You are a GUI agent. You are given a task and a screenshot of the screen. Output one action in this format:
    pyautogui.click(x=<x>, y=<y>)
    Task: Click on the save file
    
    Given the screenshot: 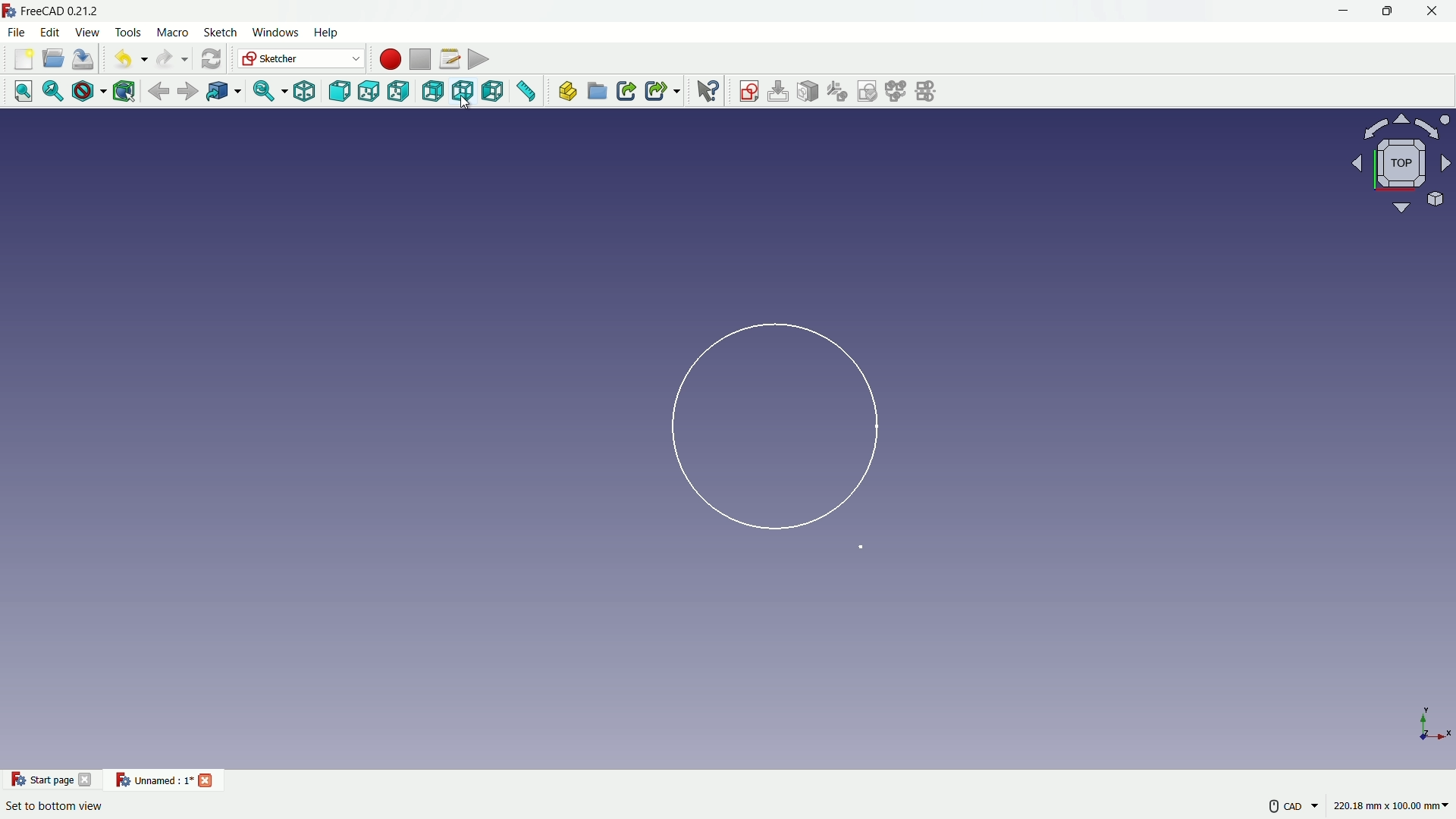 What is the action you would take?
    pyautogui.click(x=85, y=58)
    